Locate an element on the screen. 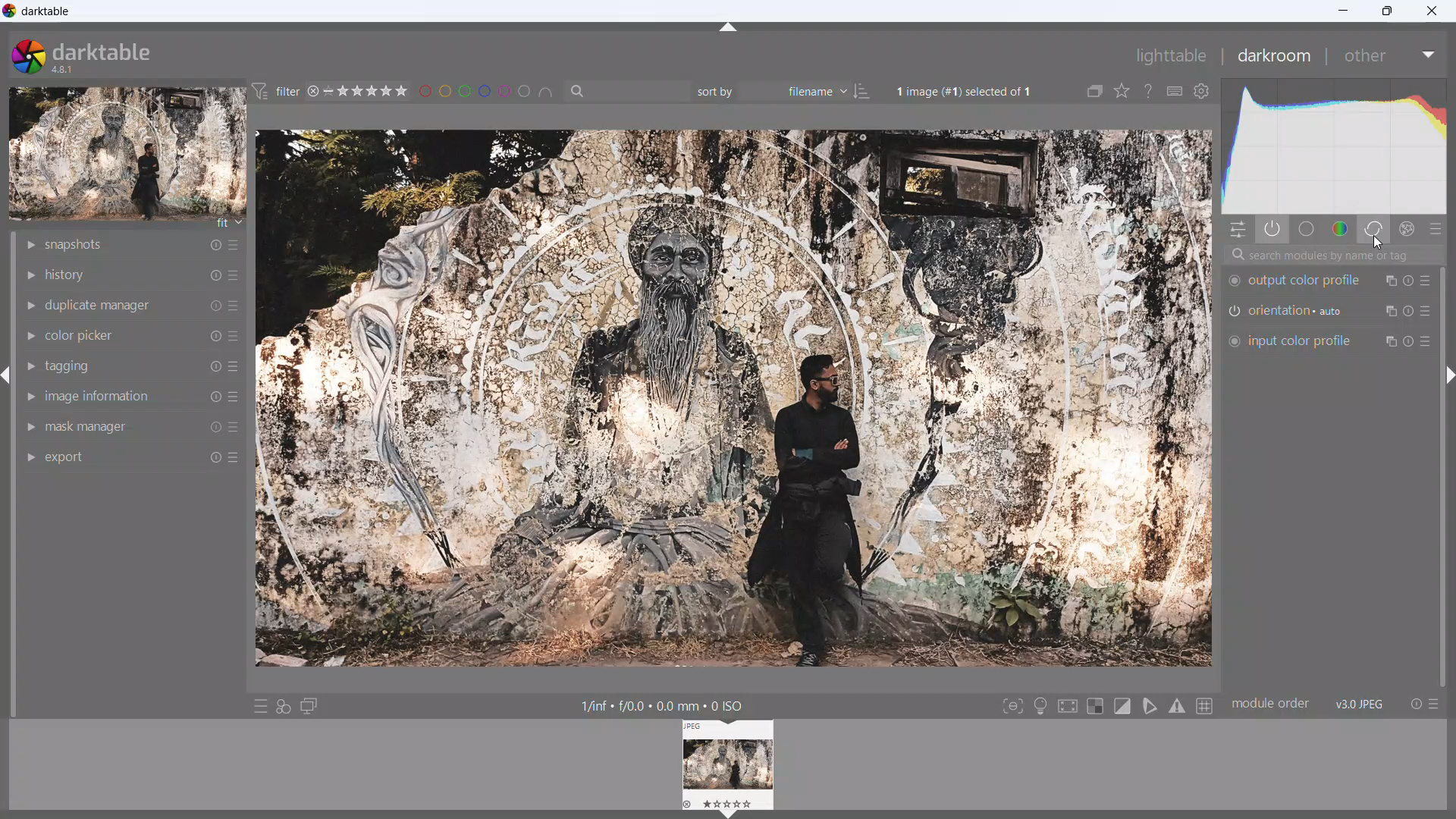  more options is located at coordinates (237, 400).